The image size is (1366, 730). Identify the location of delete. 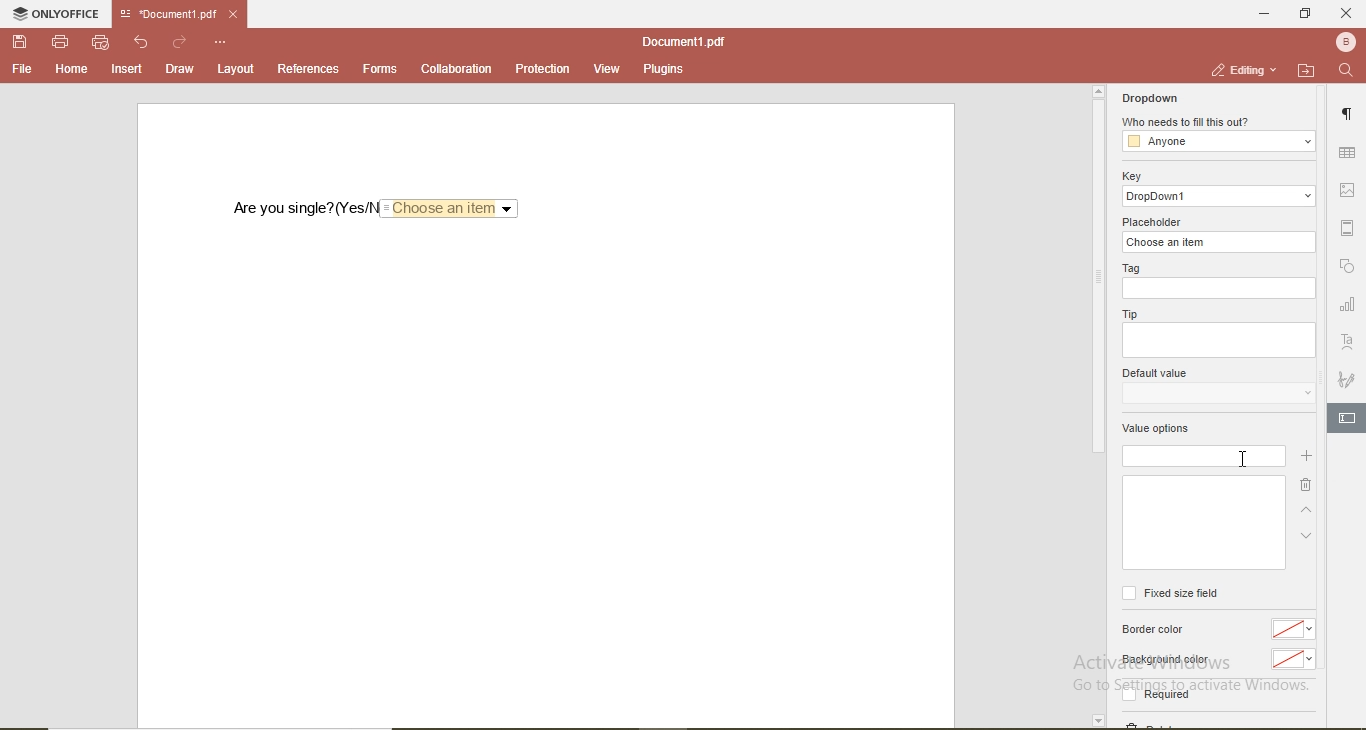
(1305, 484).